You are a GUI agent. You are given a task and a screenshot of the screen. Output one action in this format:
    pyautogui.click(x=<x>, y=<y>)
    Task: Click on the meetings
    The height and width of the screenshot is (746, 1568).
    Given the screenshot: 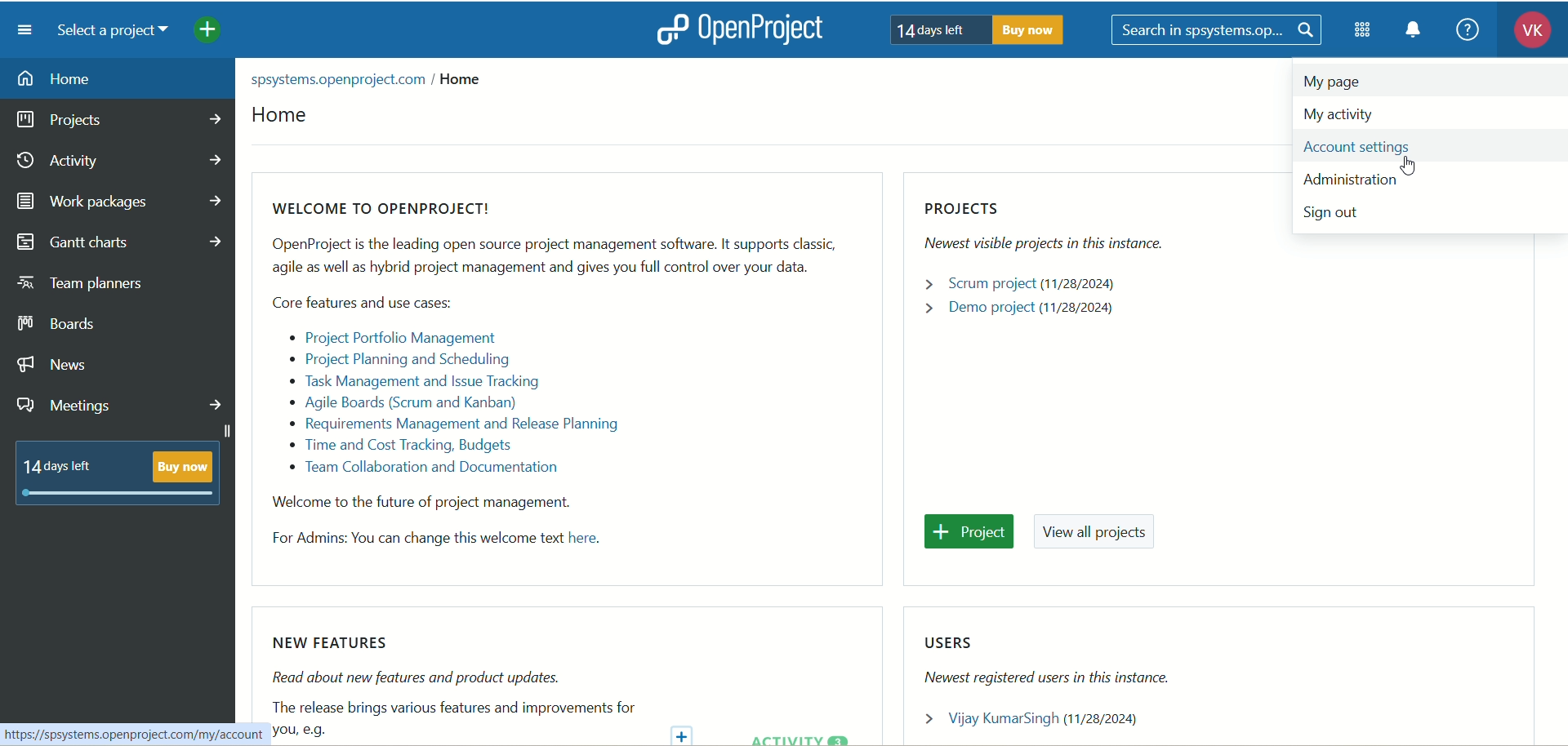 What is the action you would take?
    pyautogui.click(x=120, y=407)
    